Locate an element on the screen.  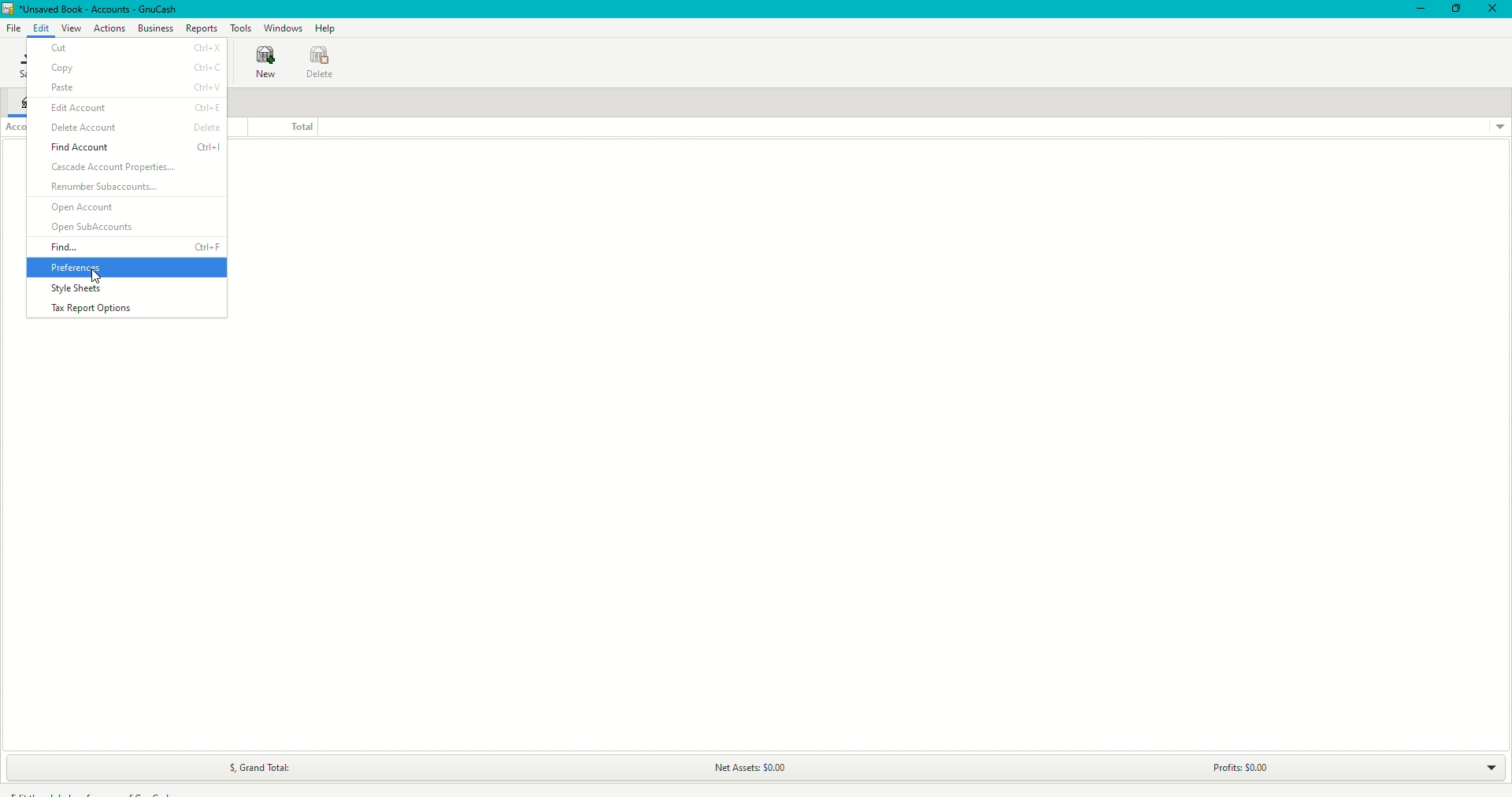
Edit is located at coordinates (41, 27).